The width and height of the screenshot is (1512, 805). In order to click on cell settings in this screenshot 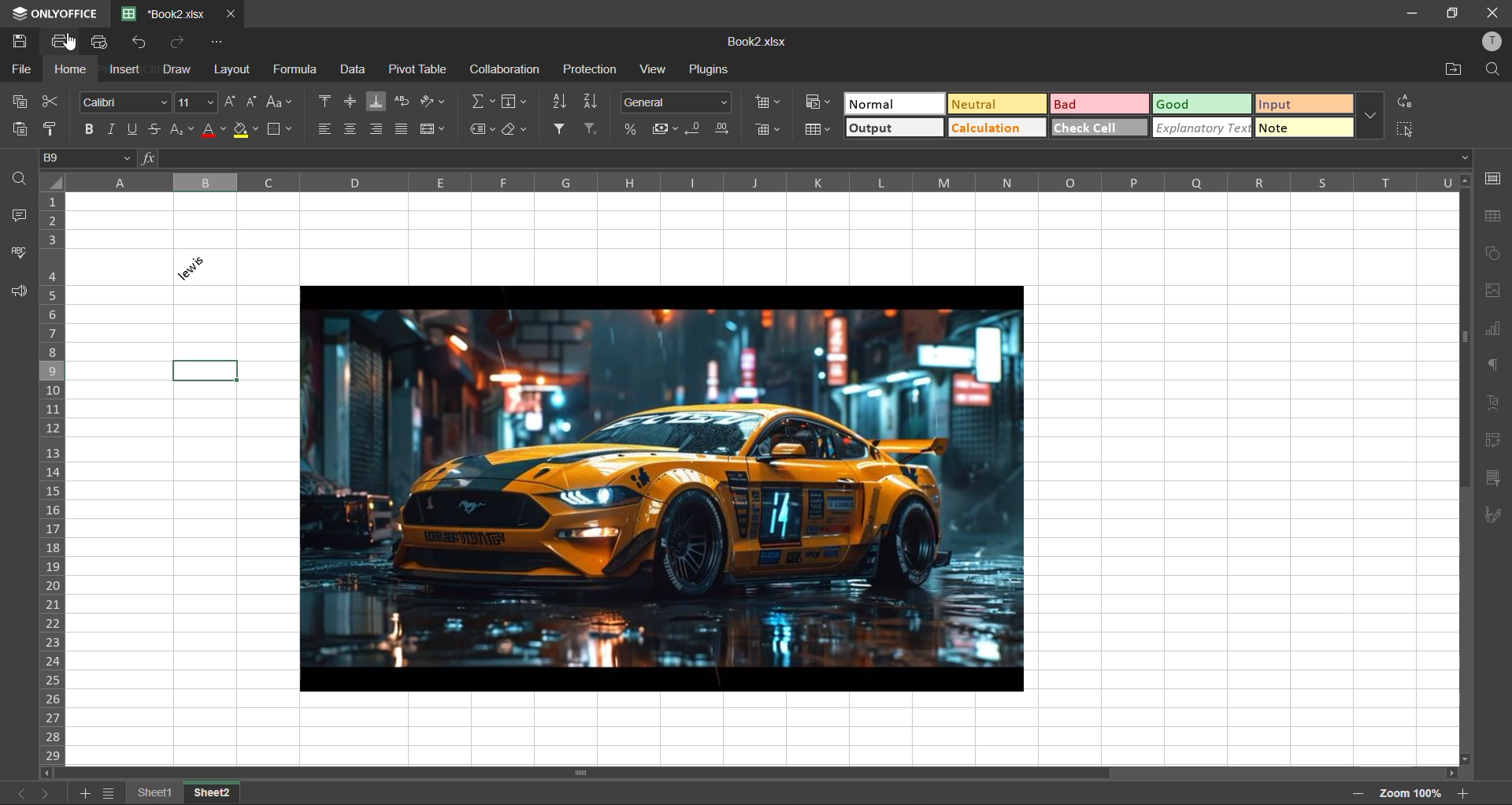, I will do `click(1489, 180)`.